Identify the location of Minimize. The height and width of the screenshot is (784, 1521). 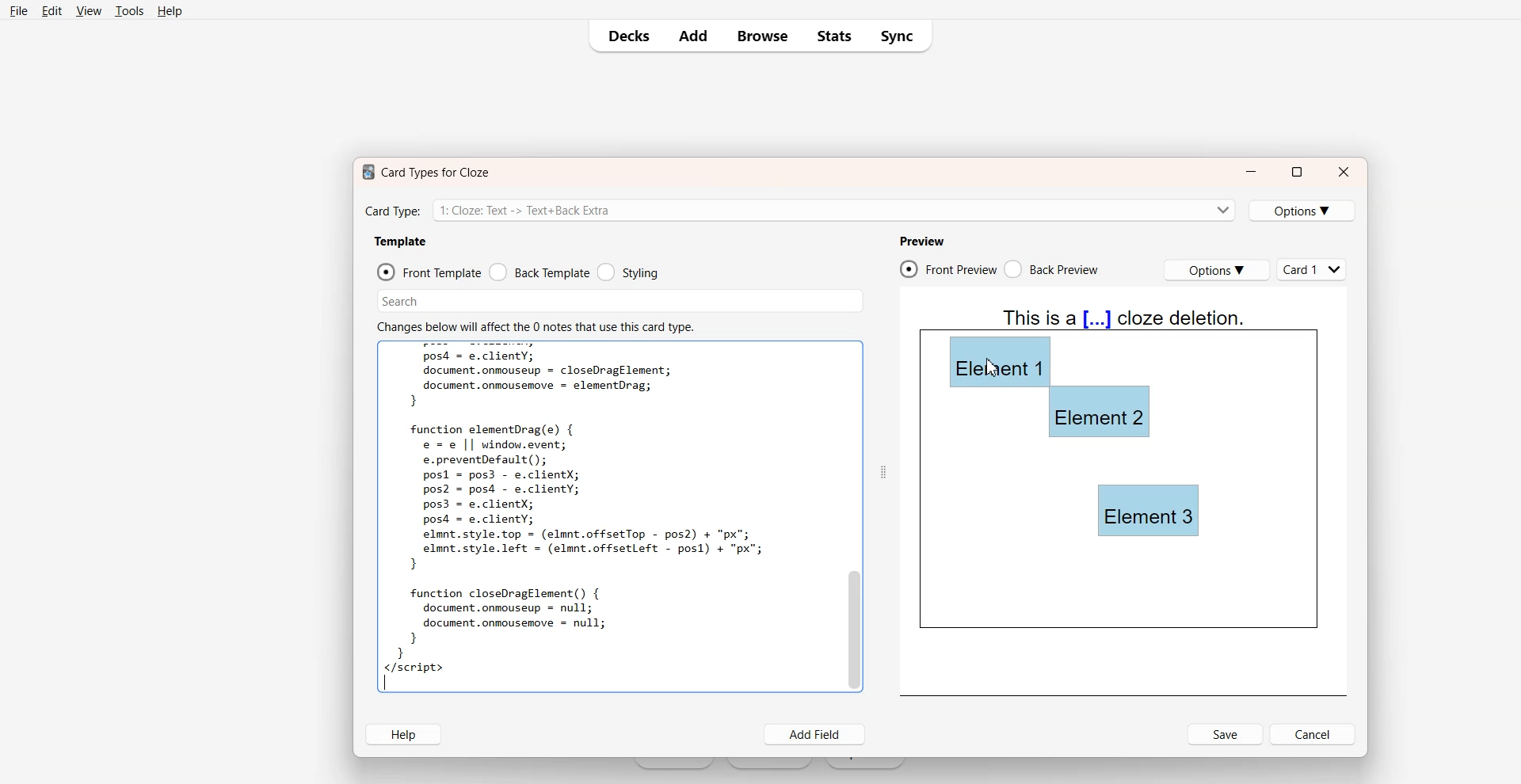
(1251, 173).